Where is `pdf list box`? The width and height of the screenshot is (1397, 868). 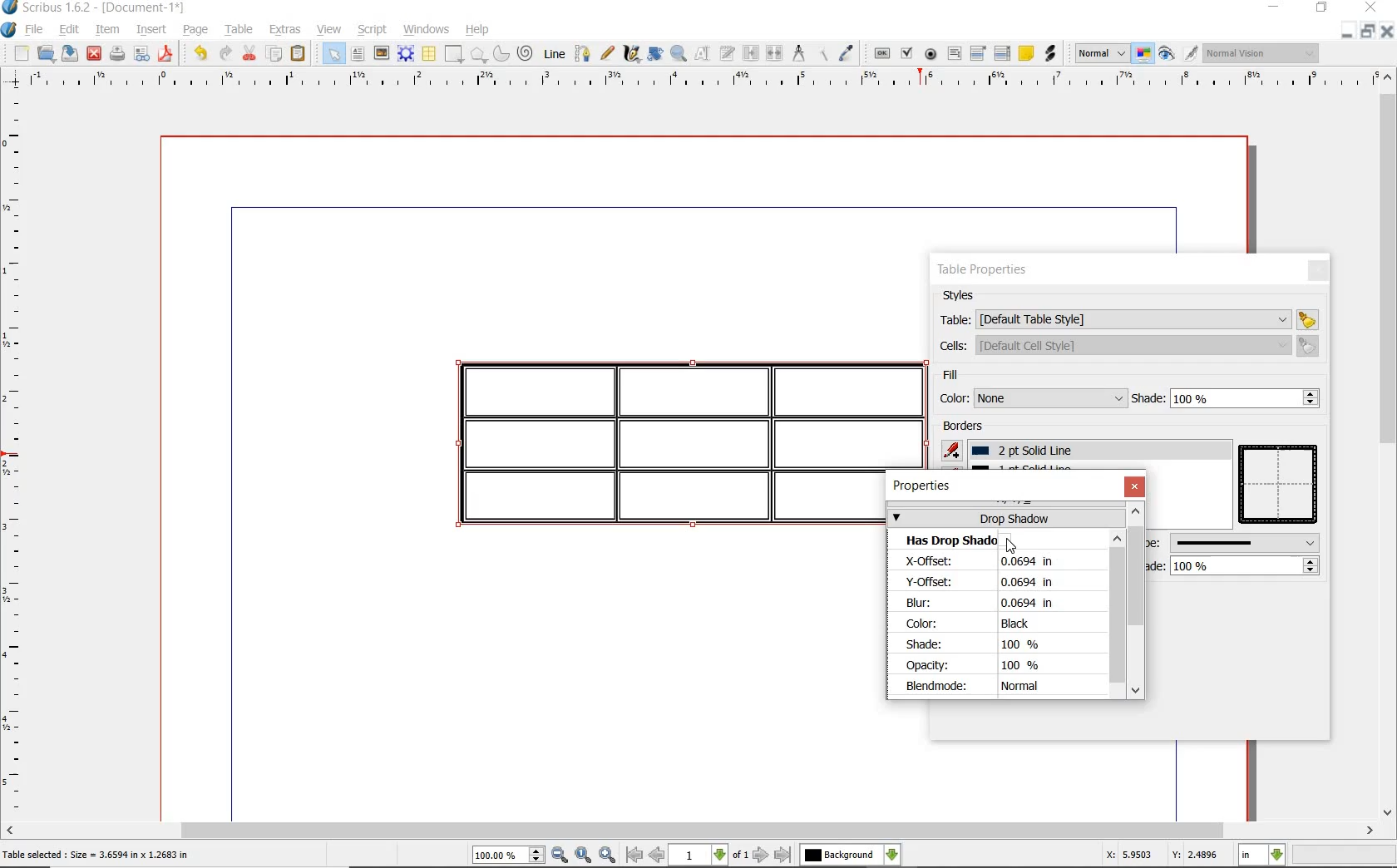 pdf list box is located at coordinates (1003, 53).